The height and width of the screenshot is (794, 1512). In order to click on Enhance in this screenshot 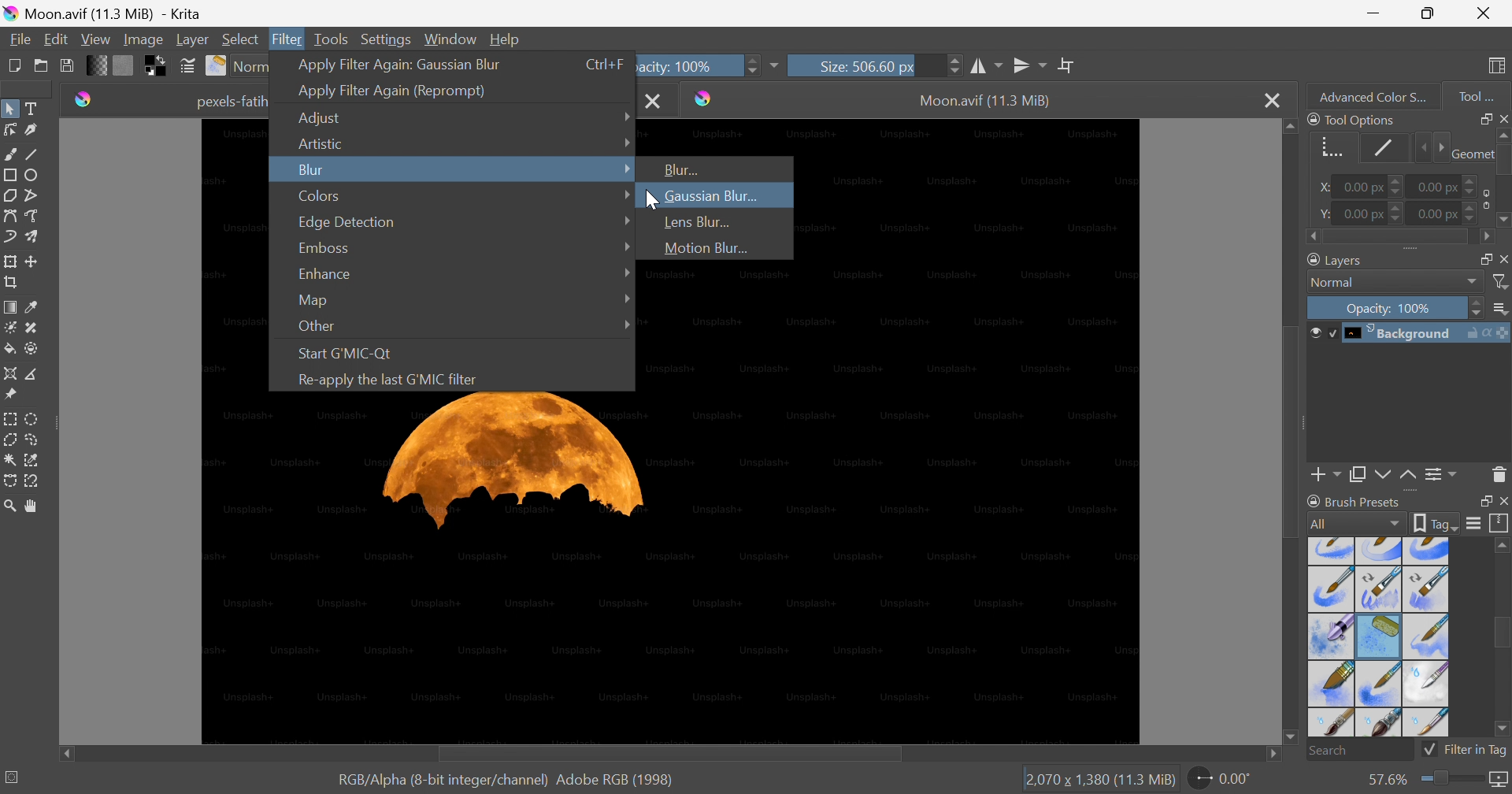, I will do `click(326, 273)`.